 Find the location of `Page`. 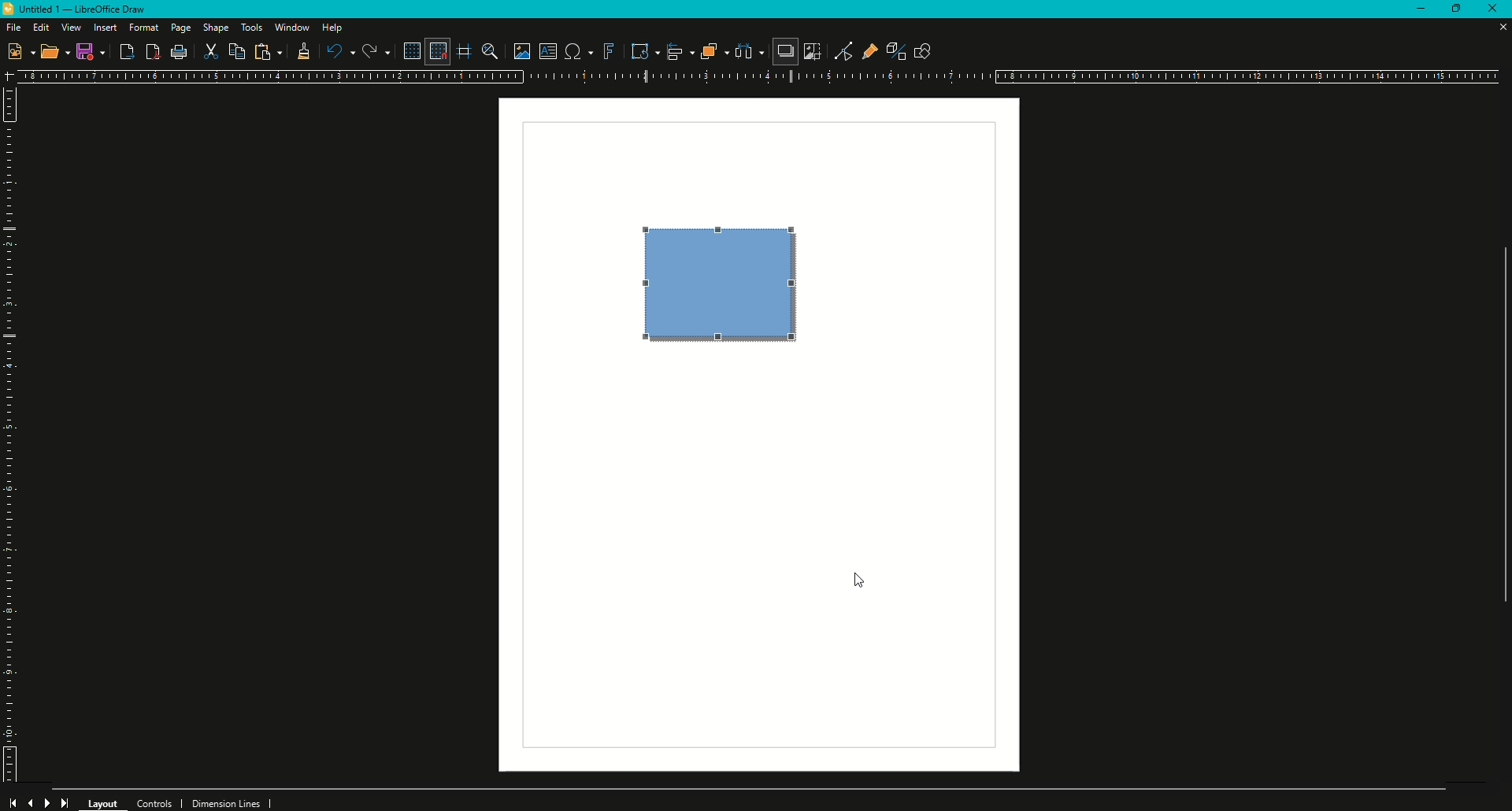

Page is located at coordinates (180, 29).